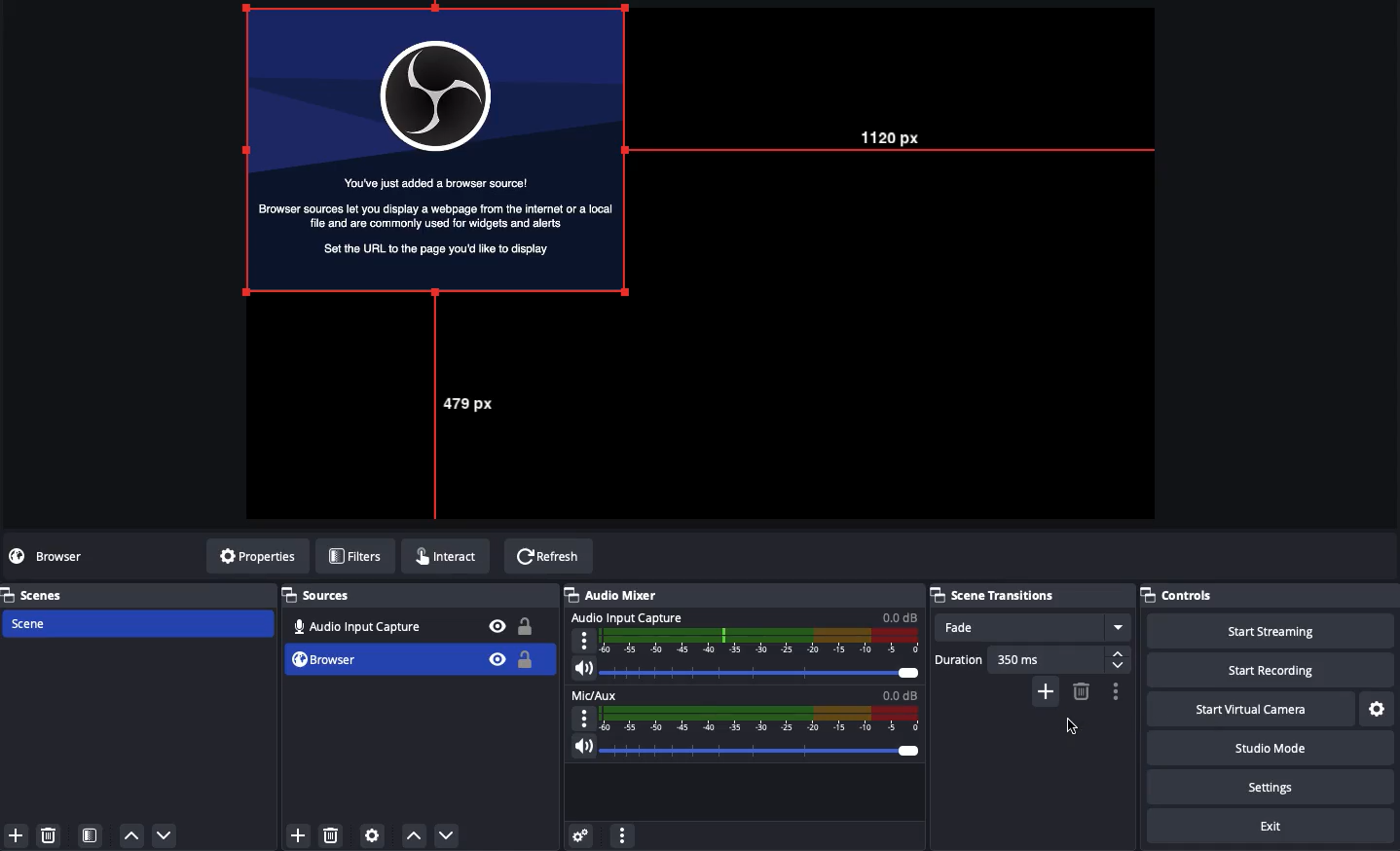 The width and height of the screenshot is (1400, 851). What do you see at coordinates (548, 558) in the screenshot?
I see `Refresh` at bounding box center [548, 558].